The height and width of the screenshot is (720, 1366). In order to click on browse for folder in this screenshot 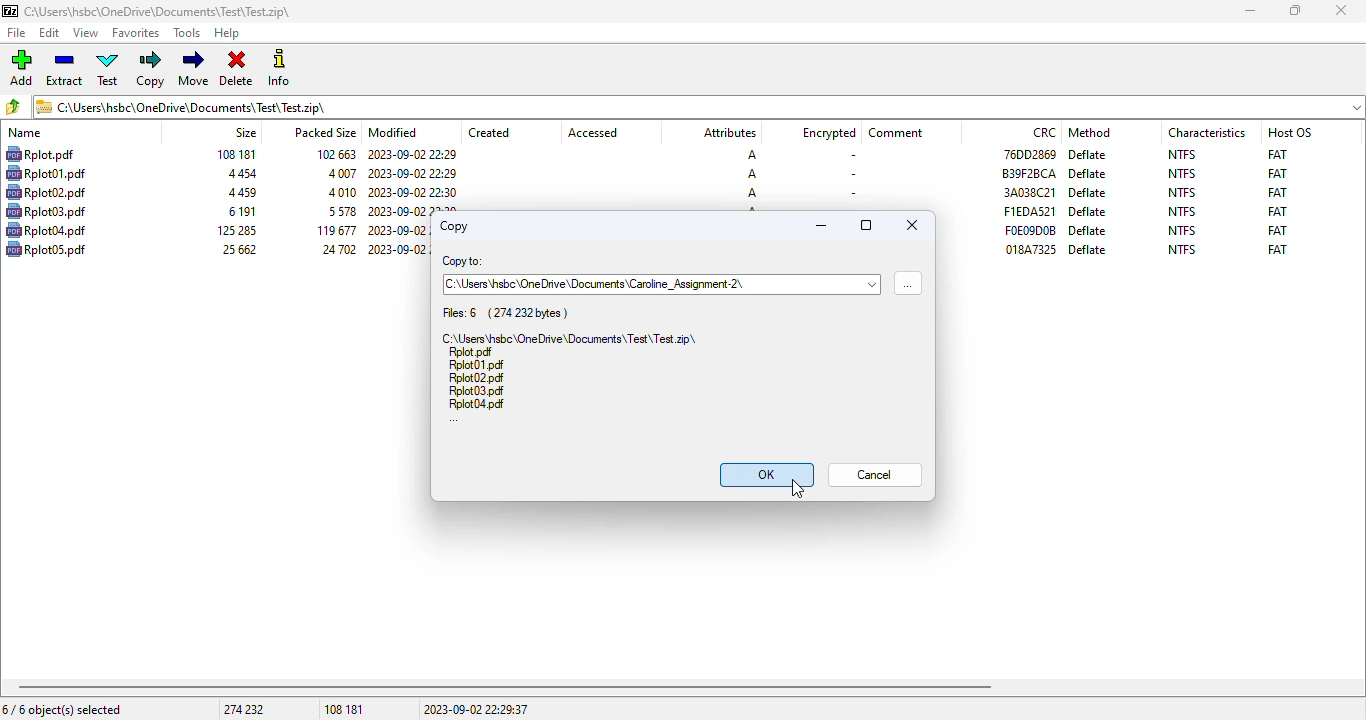, I will do `click(908, 282)`.